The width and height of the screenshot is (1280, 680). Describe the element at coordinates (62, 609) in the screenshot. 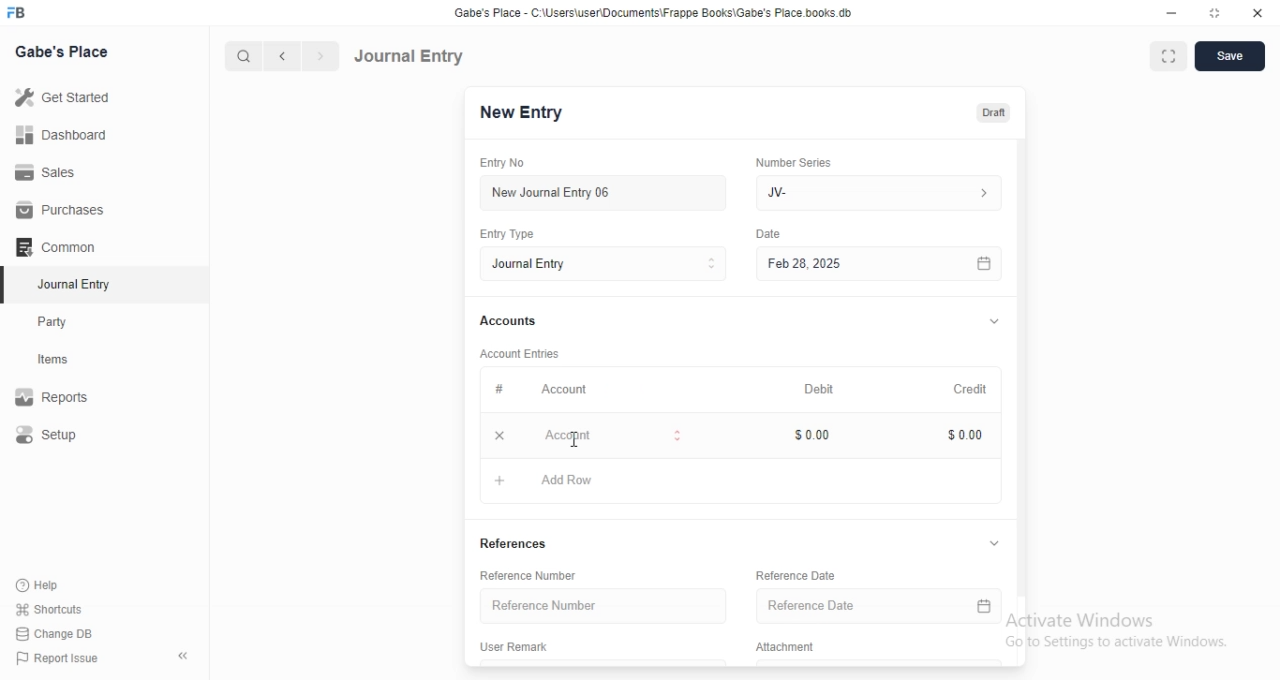

I see `‘Shortcuts` at that location.